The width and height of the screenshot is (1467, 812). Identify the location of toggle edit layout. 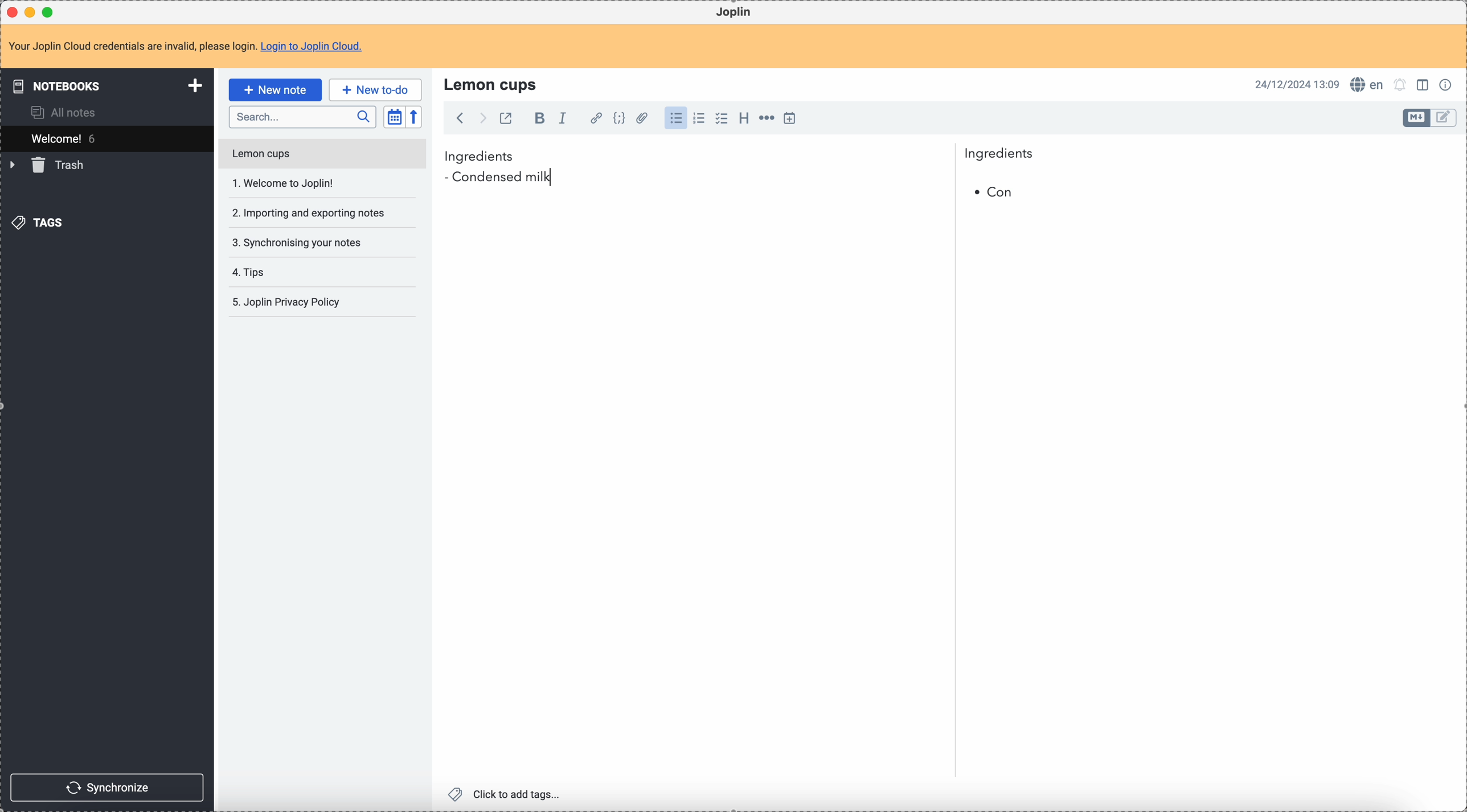
(1424, 84).